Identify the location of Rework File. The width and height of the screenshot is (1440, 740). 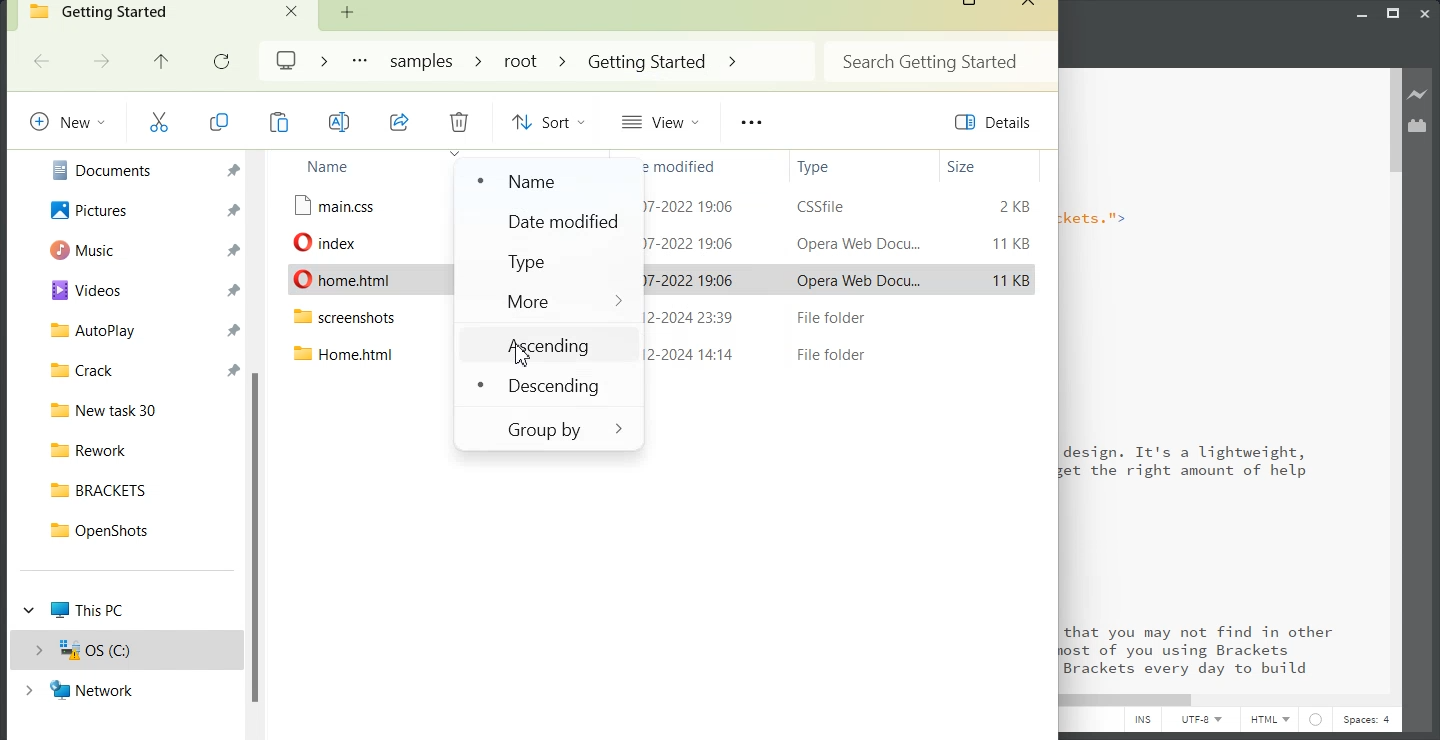
(138, 450).